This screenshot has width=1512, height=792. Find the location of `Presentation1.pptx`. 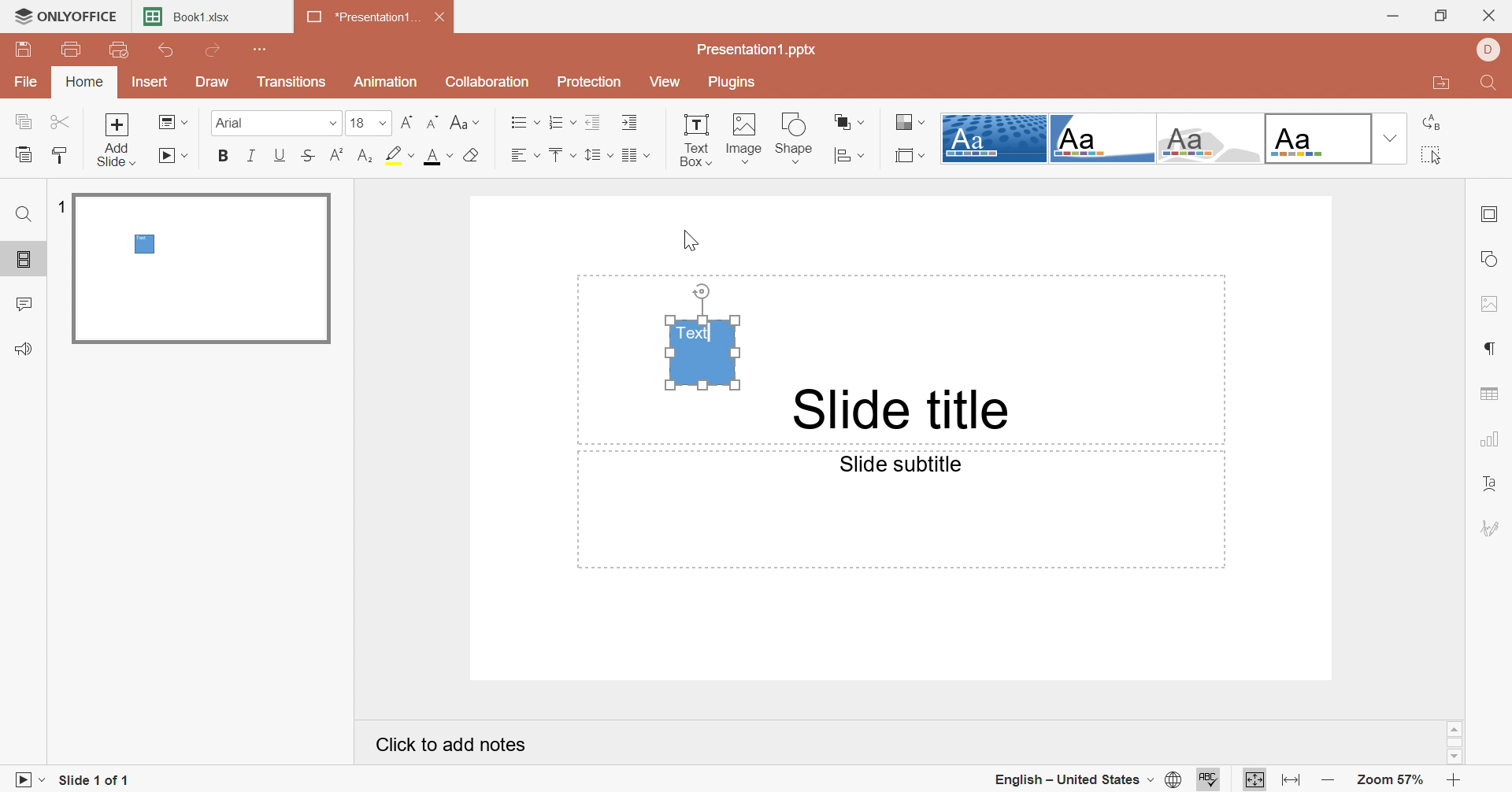

Presentation1.pptx is located at coordinates (758, 51).